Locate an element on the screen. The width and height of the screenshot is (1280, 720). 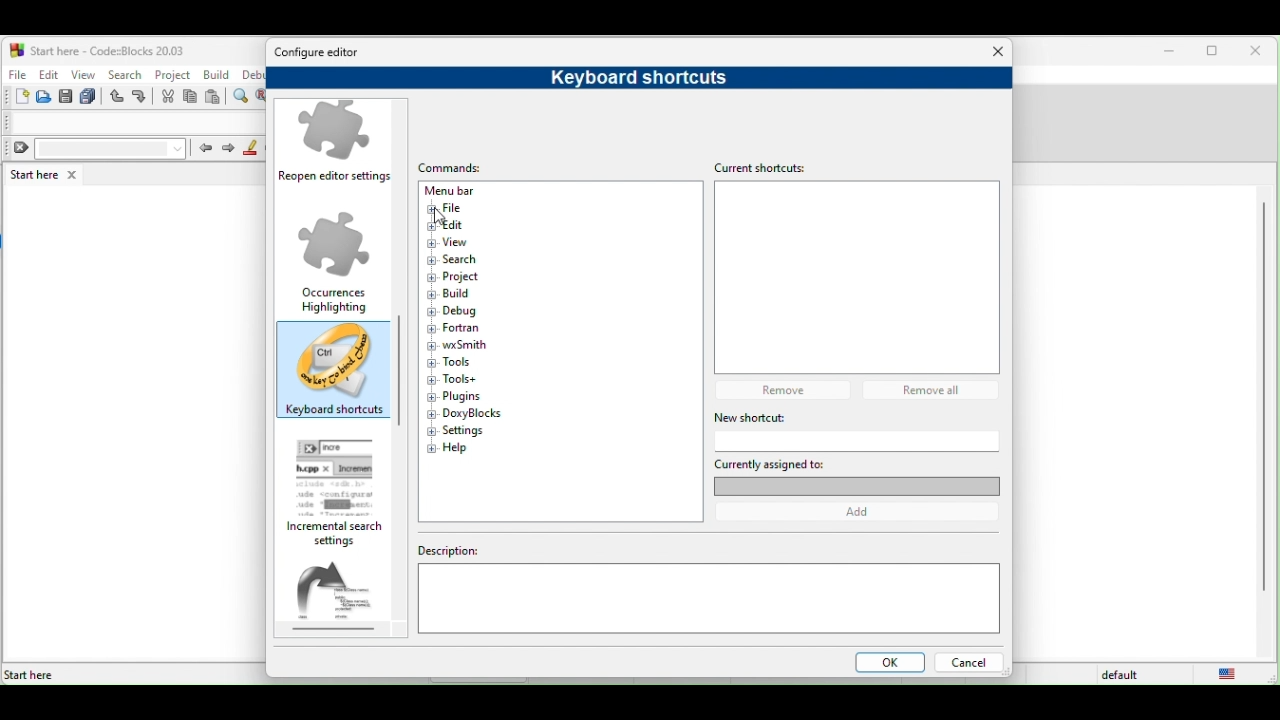
cancel is located at coordinates (968, 664).